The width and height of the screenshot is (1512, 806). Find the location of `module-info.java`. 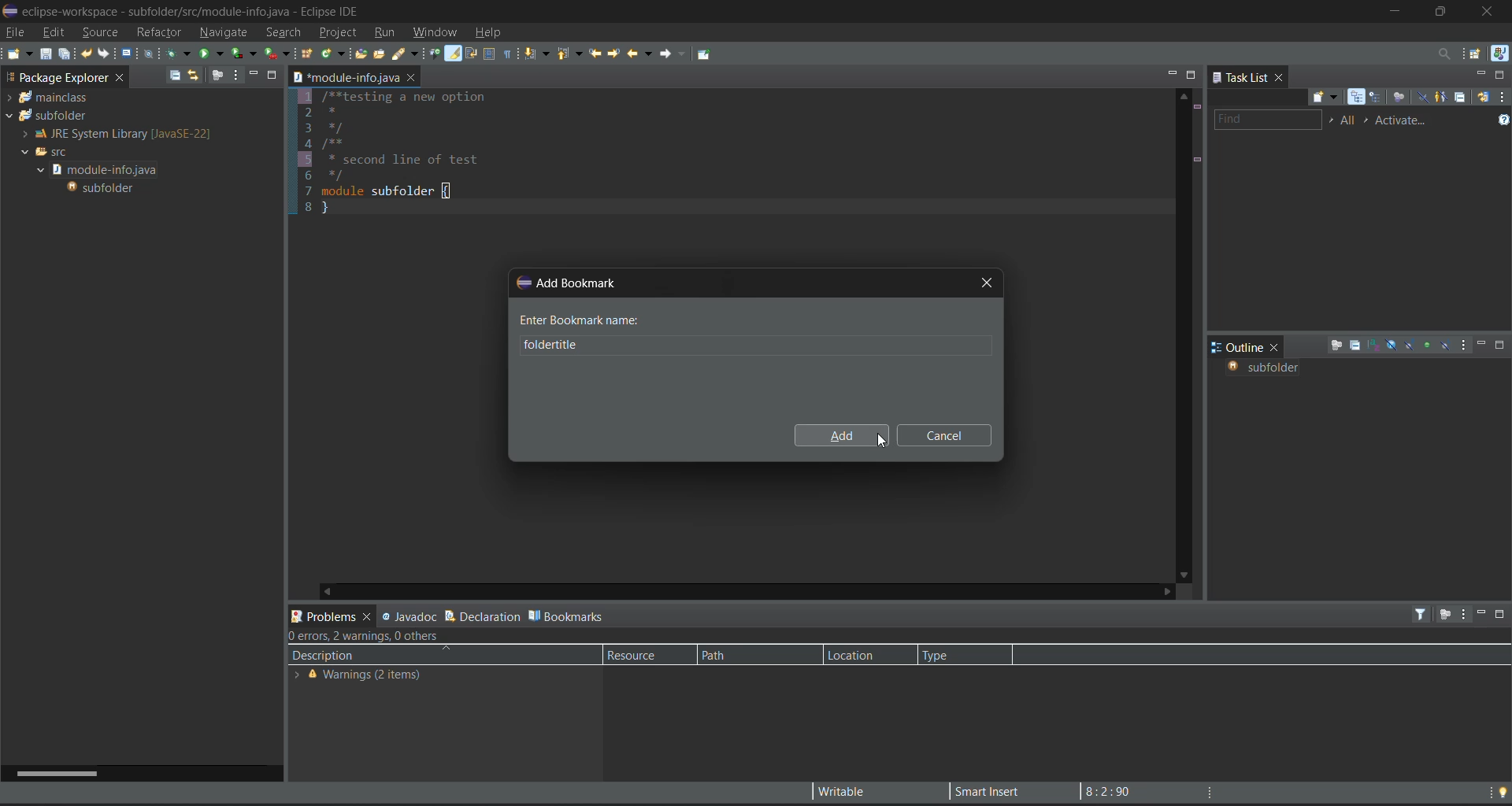

module-info.java is located at coordinates (106, 168).